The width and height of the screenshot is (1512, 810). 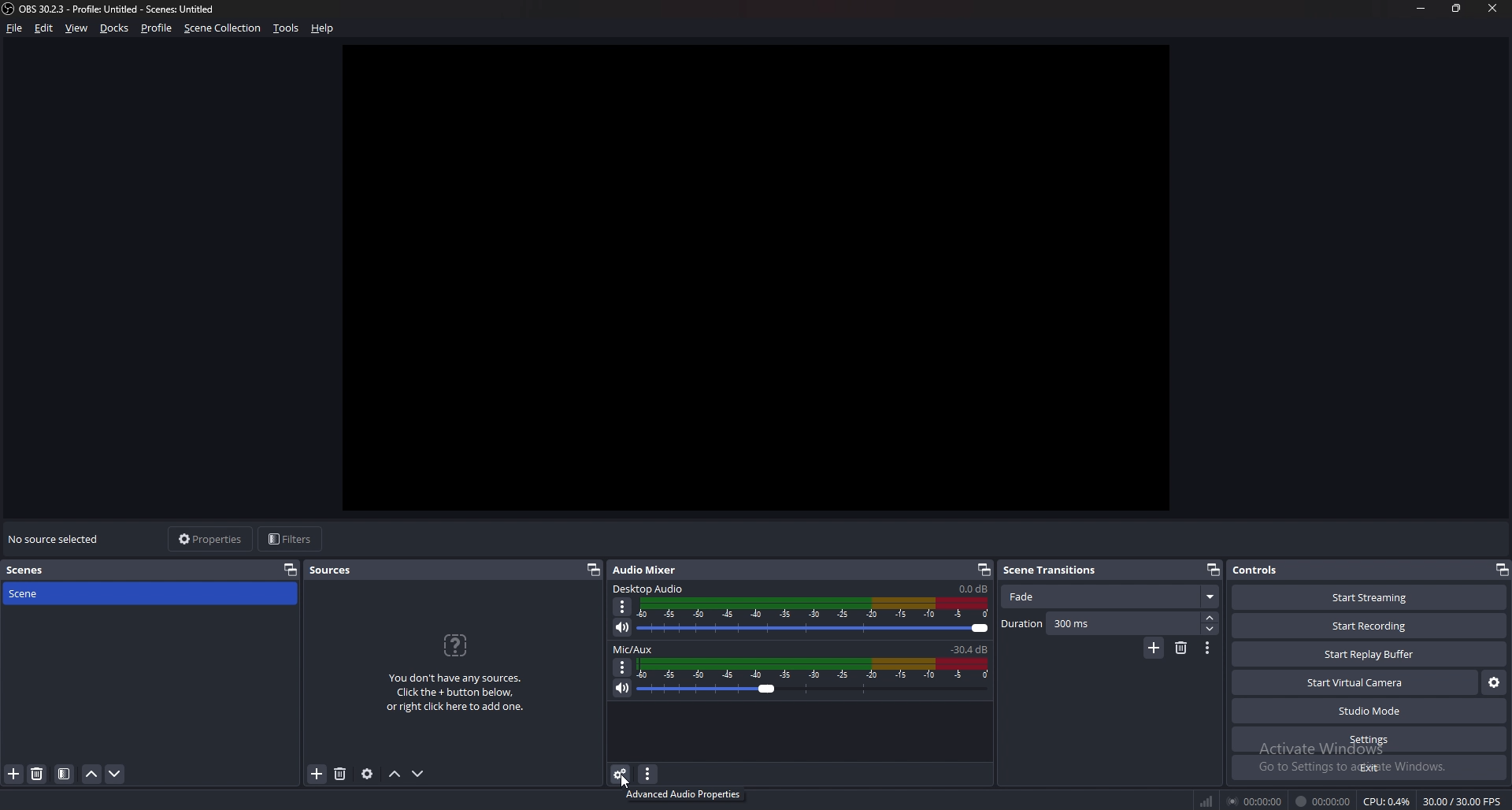 What do you see at coordinates (1356, 683) in the screenshot?
I see `start virtual camera` at bounding box center [1356, 683].